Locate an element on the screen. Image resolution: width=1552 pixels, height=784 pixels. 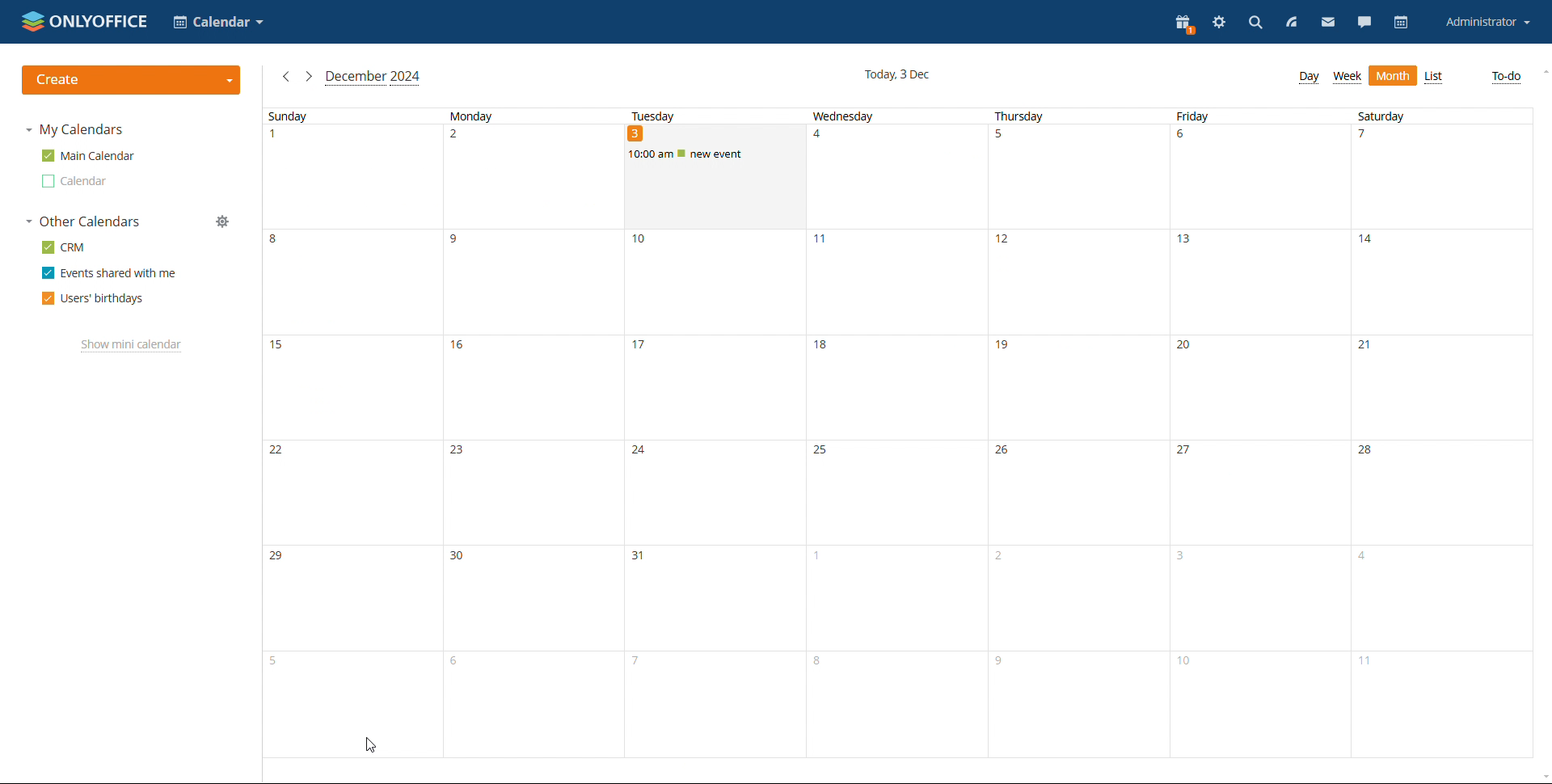
present is located at coordinates (1184, 25).